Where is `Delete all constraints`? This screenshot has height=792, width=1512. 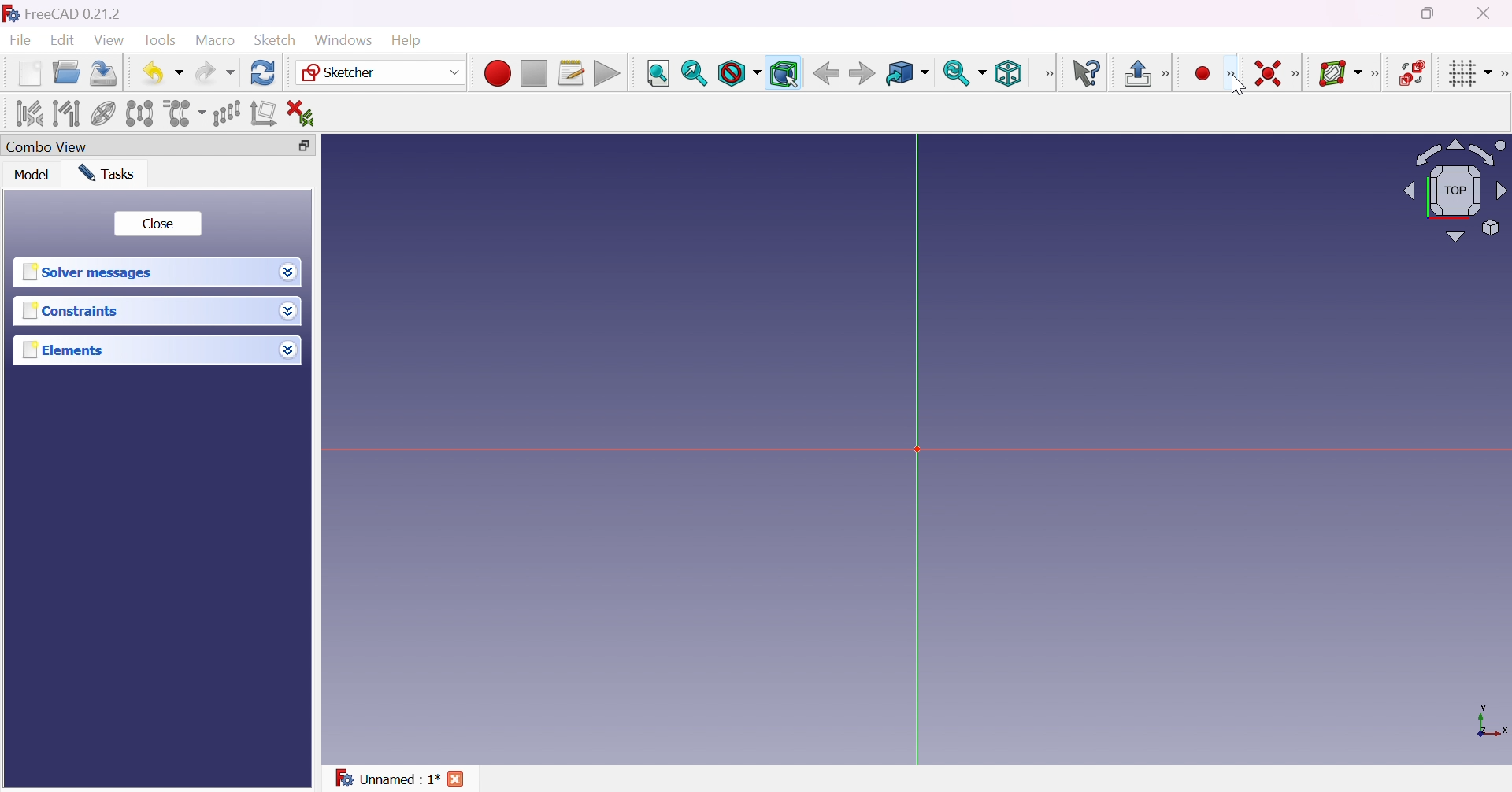
Delete all constraints is located at coordinates (306, 114).